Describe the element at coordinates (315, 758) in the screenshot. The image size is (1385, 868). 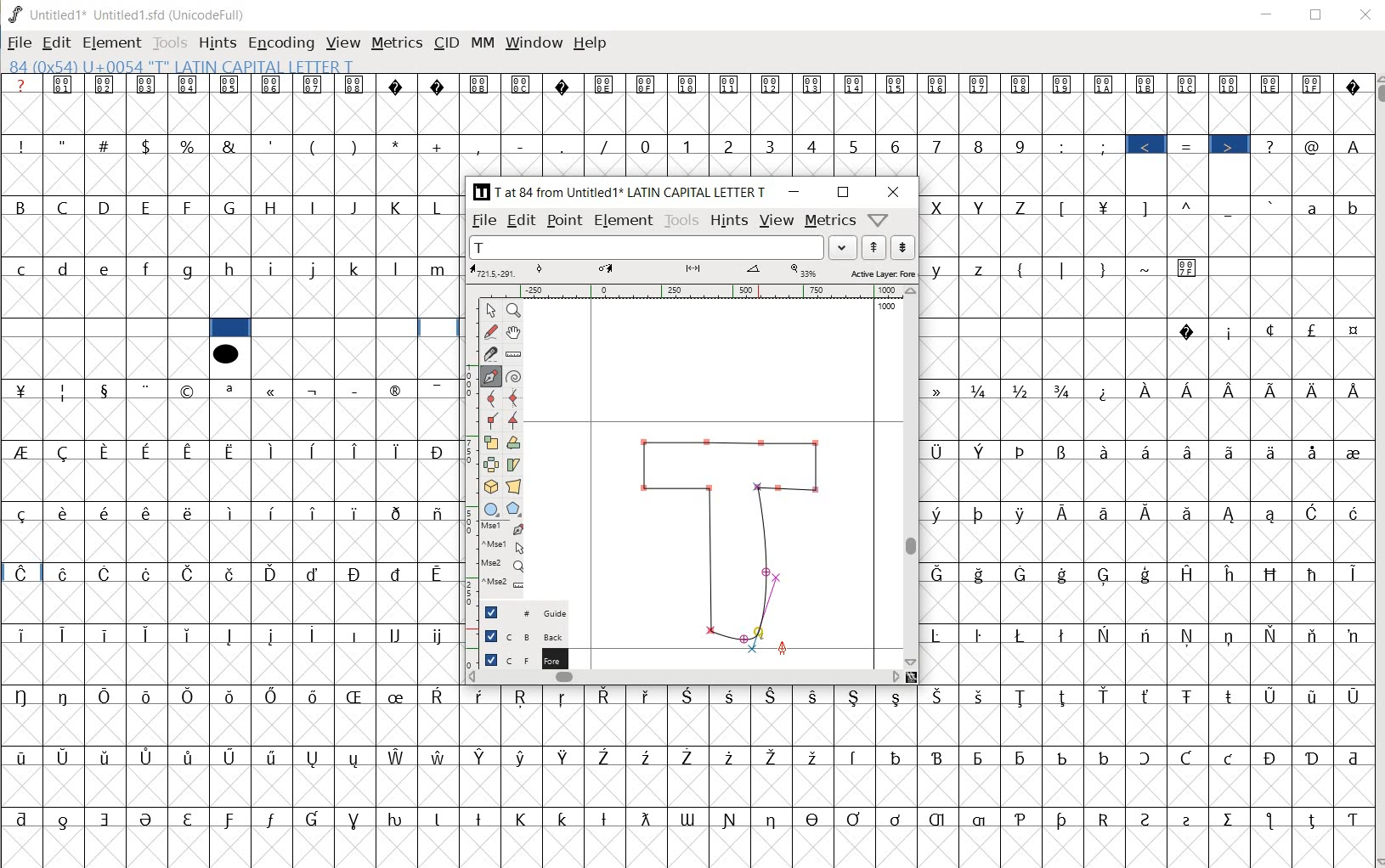
I see `Symbol` at that location.